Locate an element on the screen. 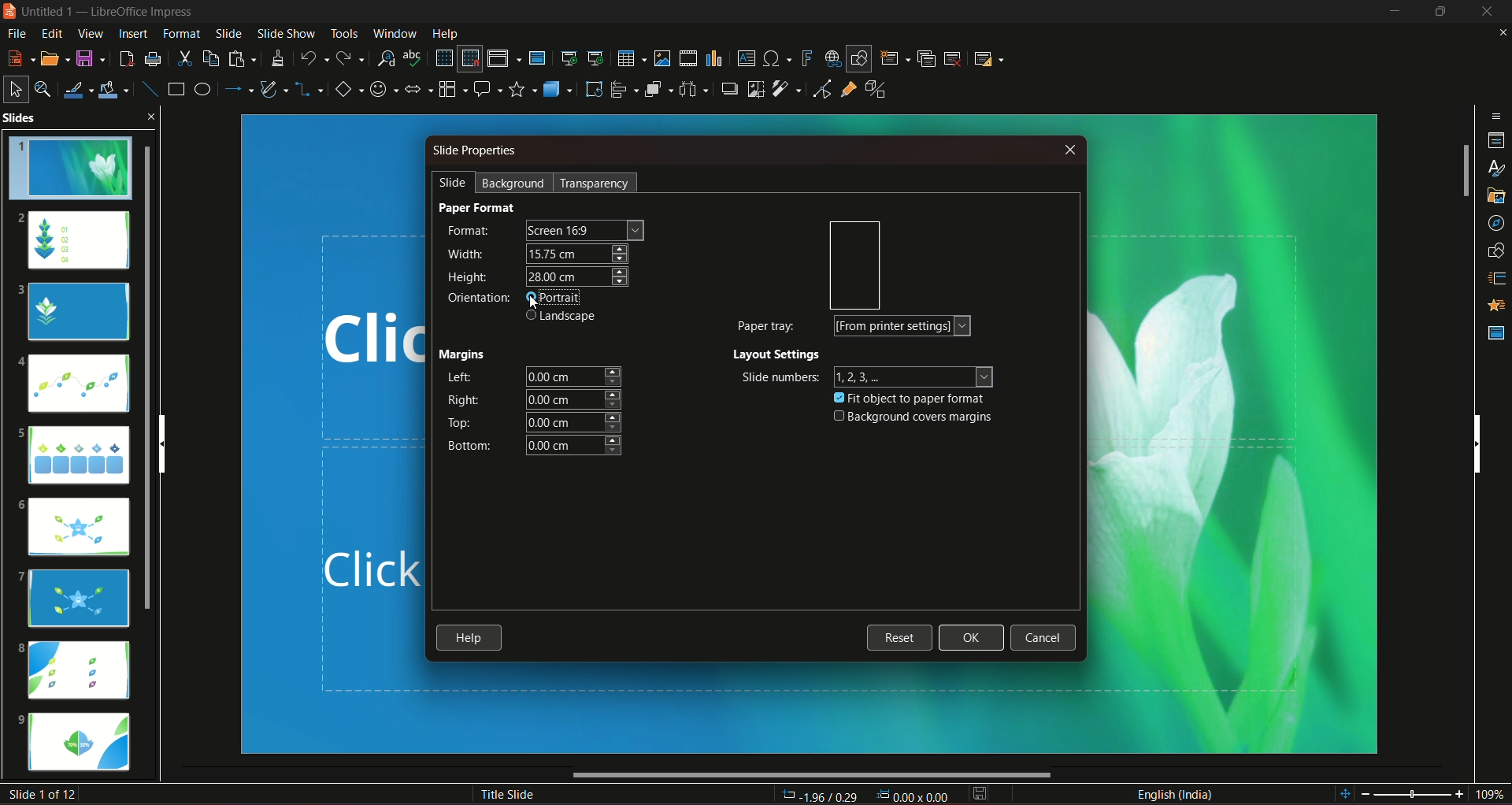 The height and width of the screenshot is (805, 1512). snap to grid is located at coordinates (470, 60).